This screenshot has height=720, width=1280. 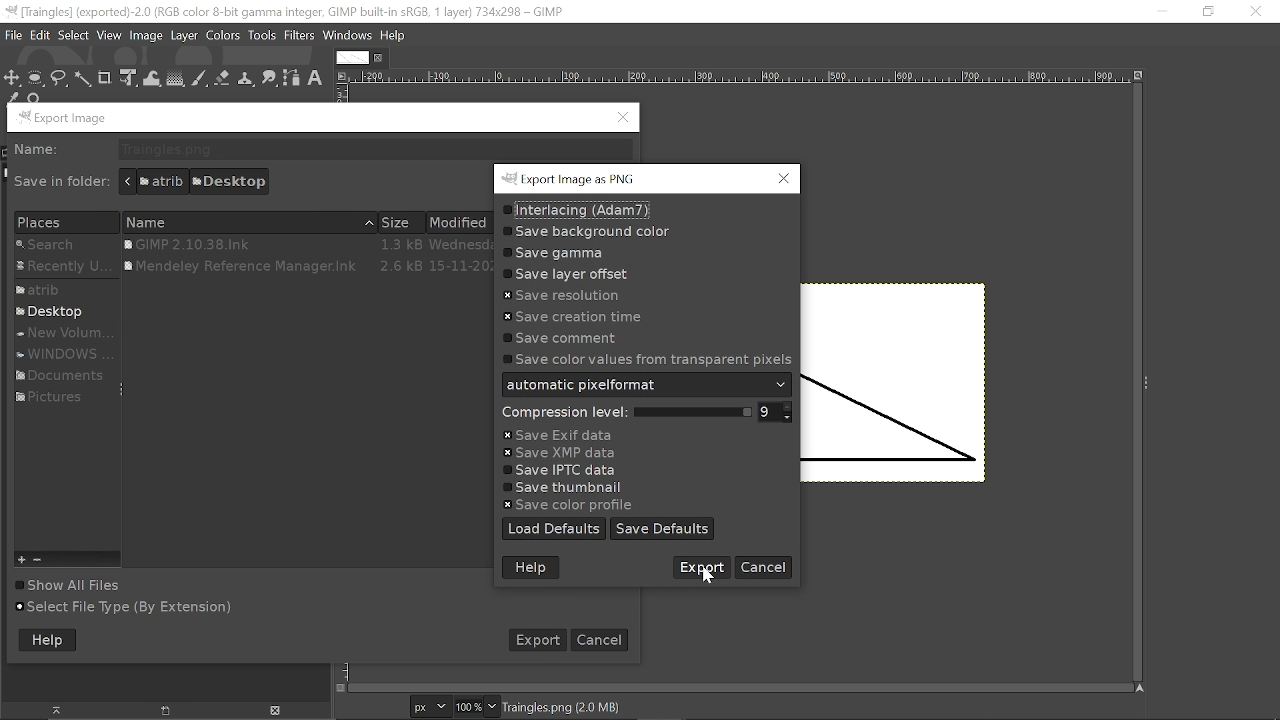 I want to click on Close, so click(x=1257, y=13).